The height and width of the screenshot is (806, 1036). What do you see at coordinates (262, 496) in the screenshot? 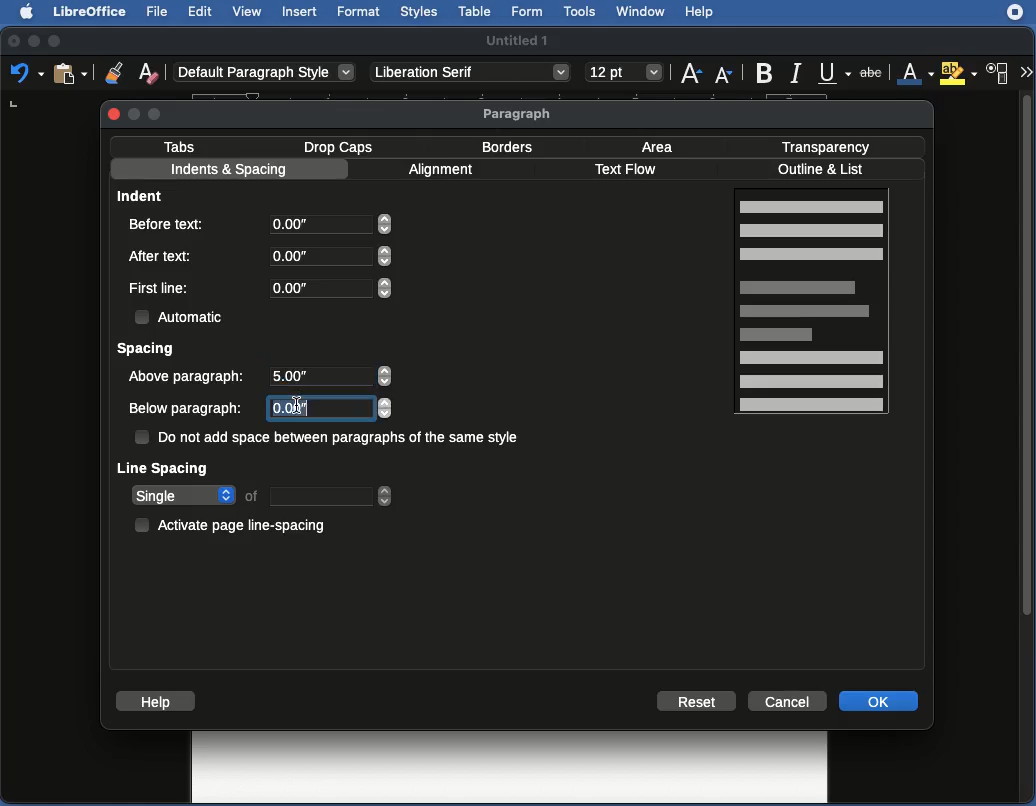
I see `Single` at bounding box center [262, 496].